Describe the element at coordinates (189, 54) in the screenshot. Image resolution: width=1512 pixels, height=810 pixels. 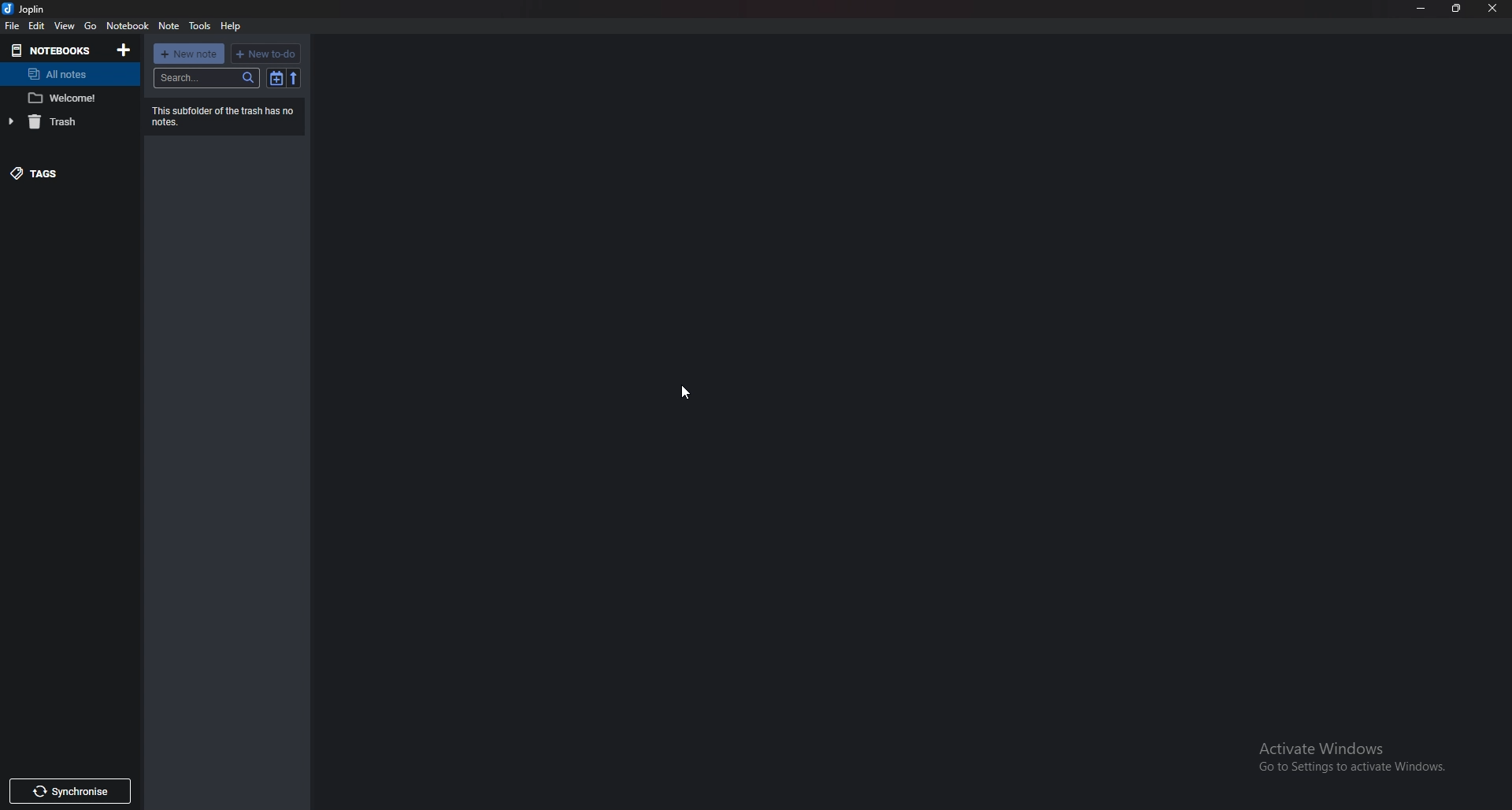
I see `New note` at that location.